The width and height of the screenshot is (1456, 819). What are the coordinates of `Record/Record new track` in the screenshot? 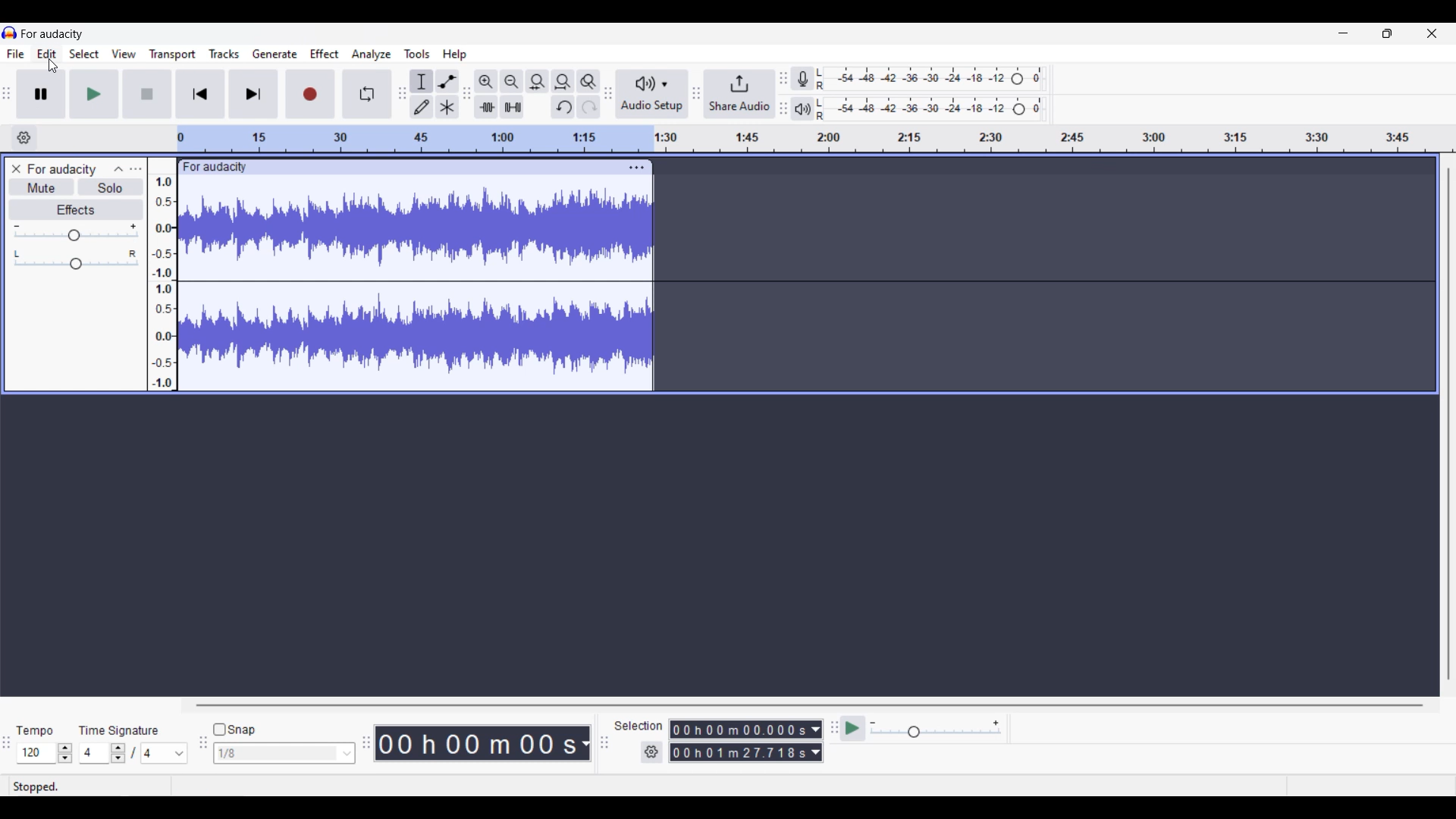 It's located at (311, 95).